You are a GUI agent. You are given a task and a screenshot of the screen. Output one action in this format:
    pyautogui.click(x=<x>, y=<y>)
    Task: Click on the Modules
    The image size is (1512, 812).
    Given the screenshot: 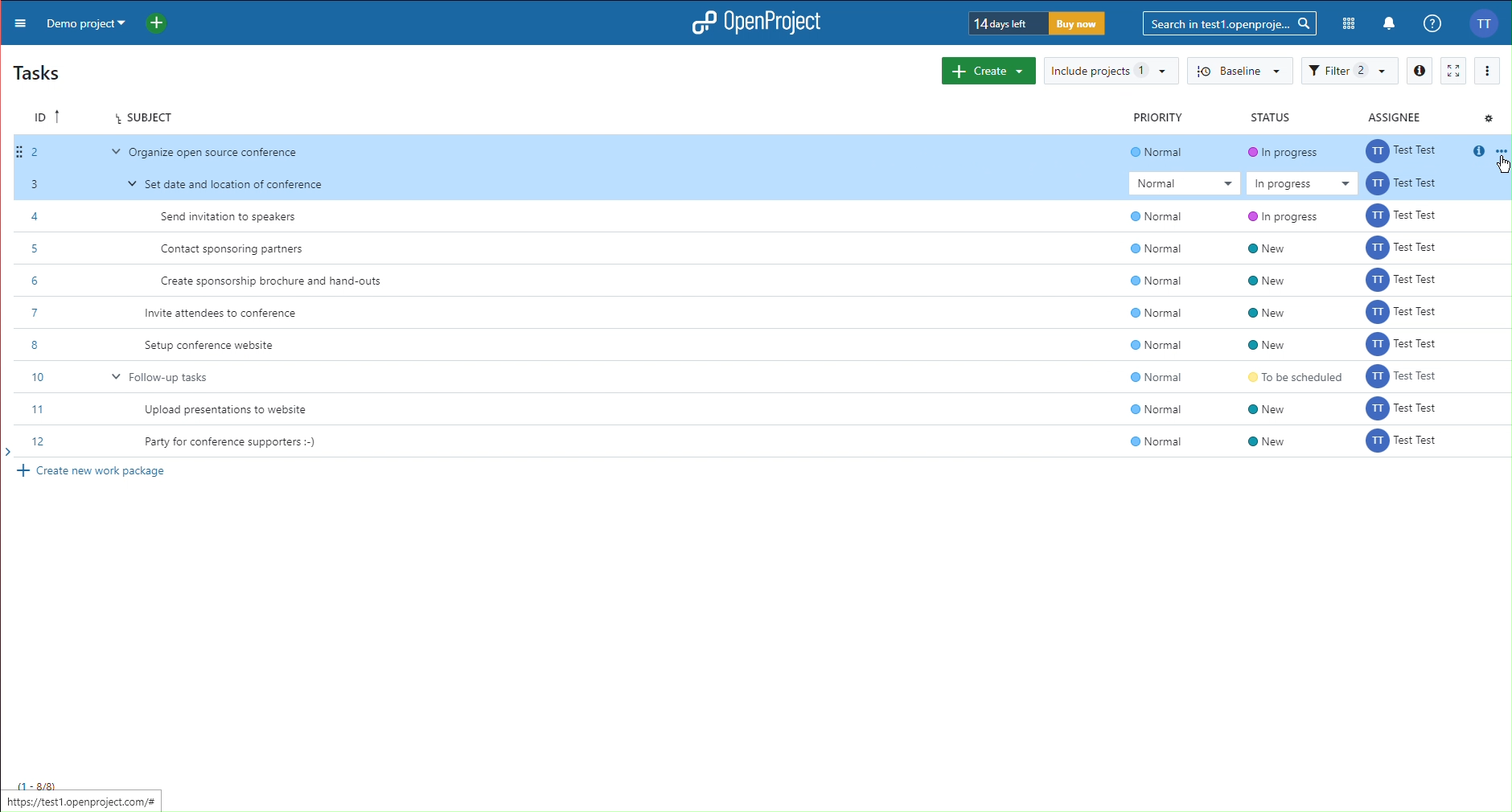 What is the action you would take?
    pyautogui.click(x=1350, y=24)
    